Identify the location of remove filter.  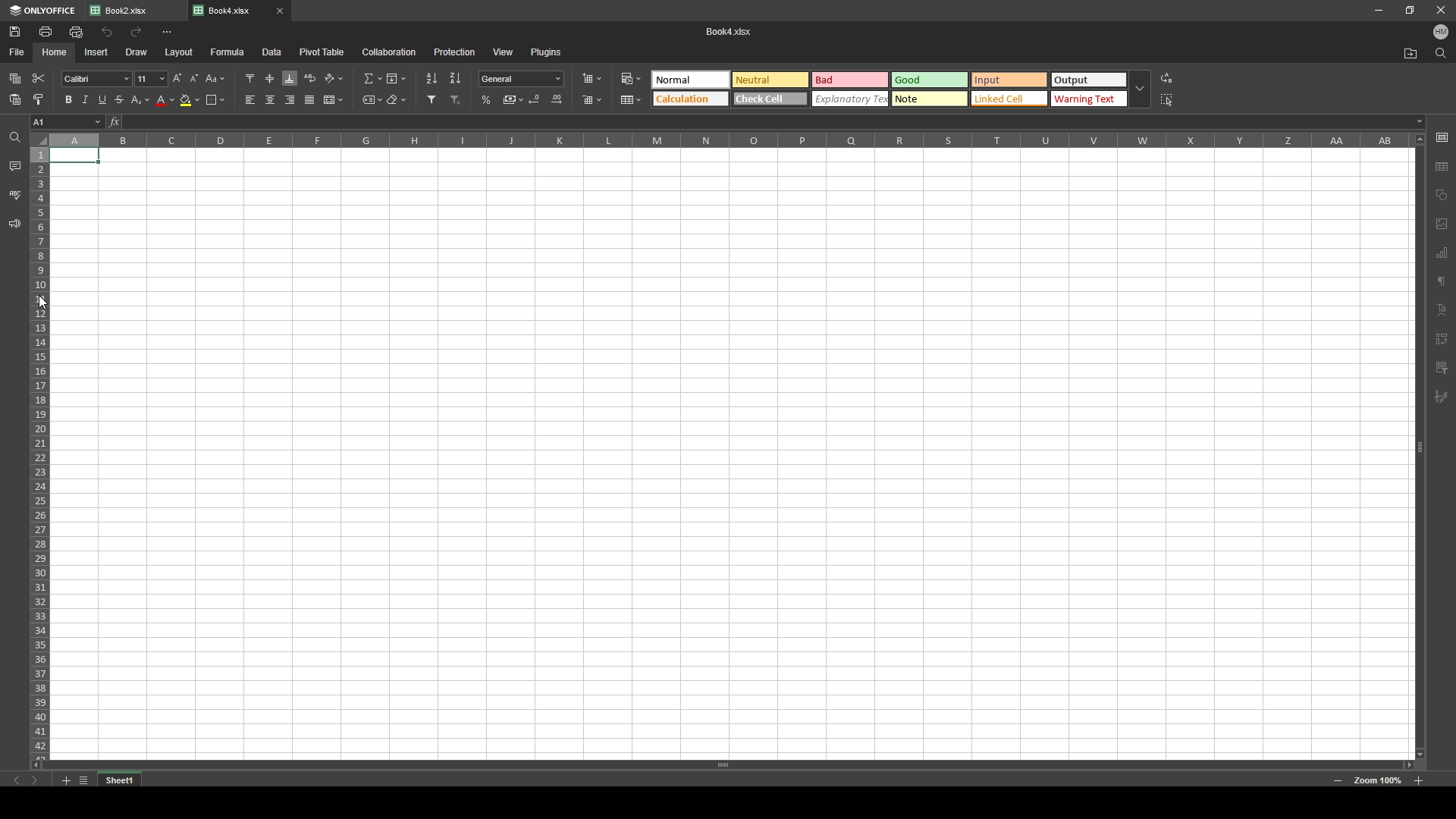
(457, 100).